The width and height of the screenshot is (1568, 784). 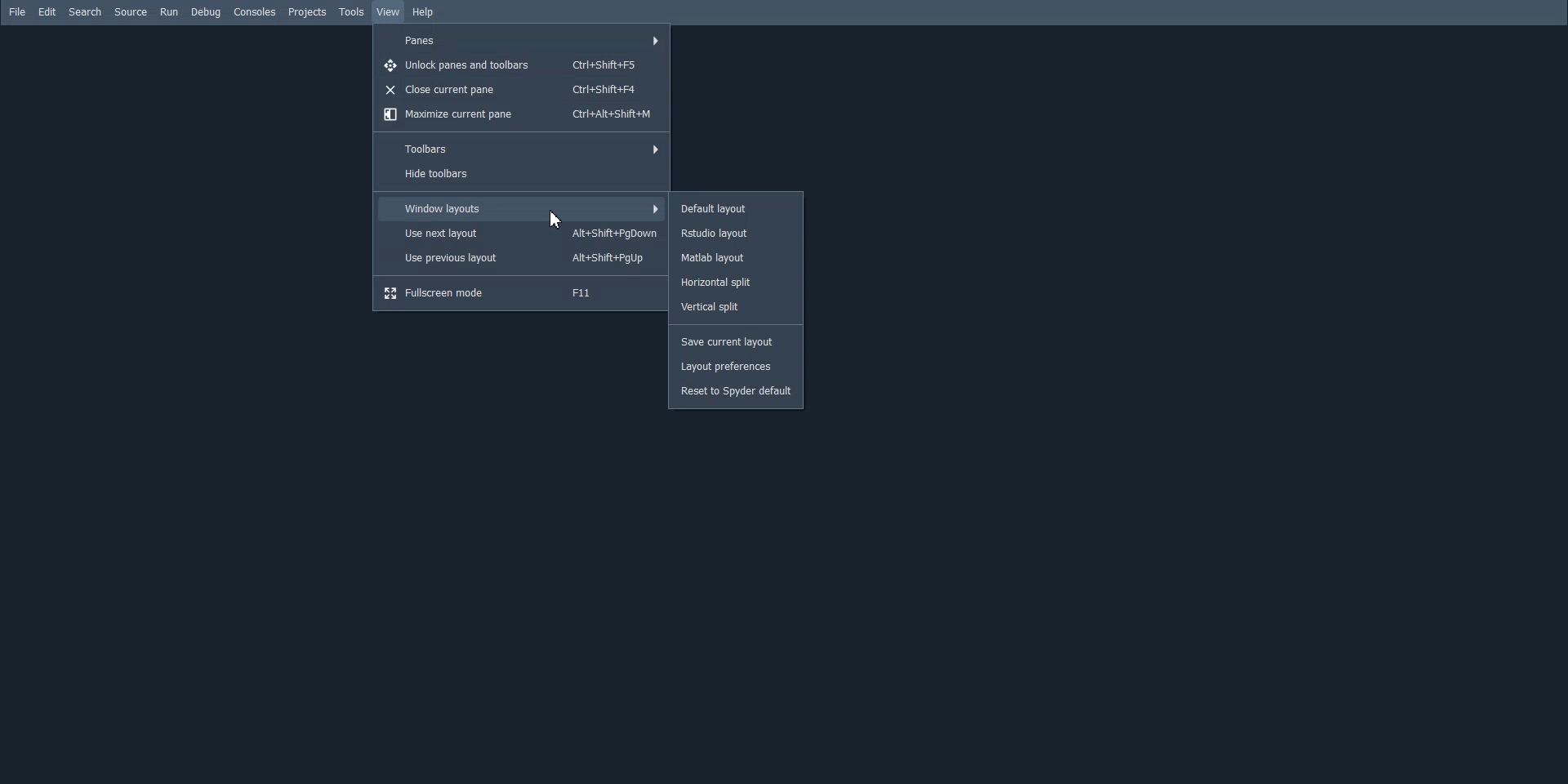 What do you see at coordinates (48, 11) in the screenshot?
I see `Edit` at bounding box center [48, 11].